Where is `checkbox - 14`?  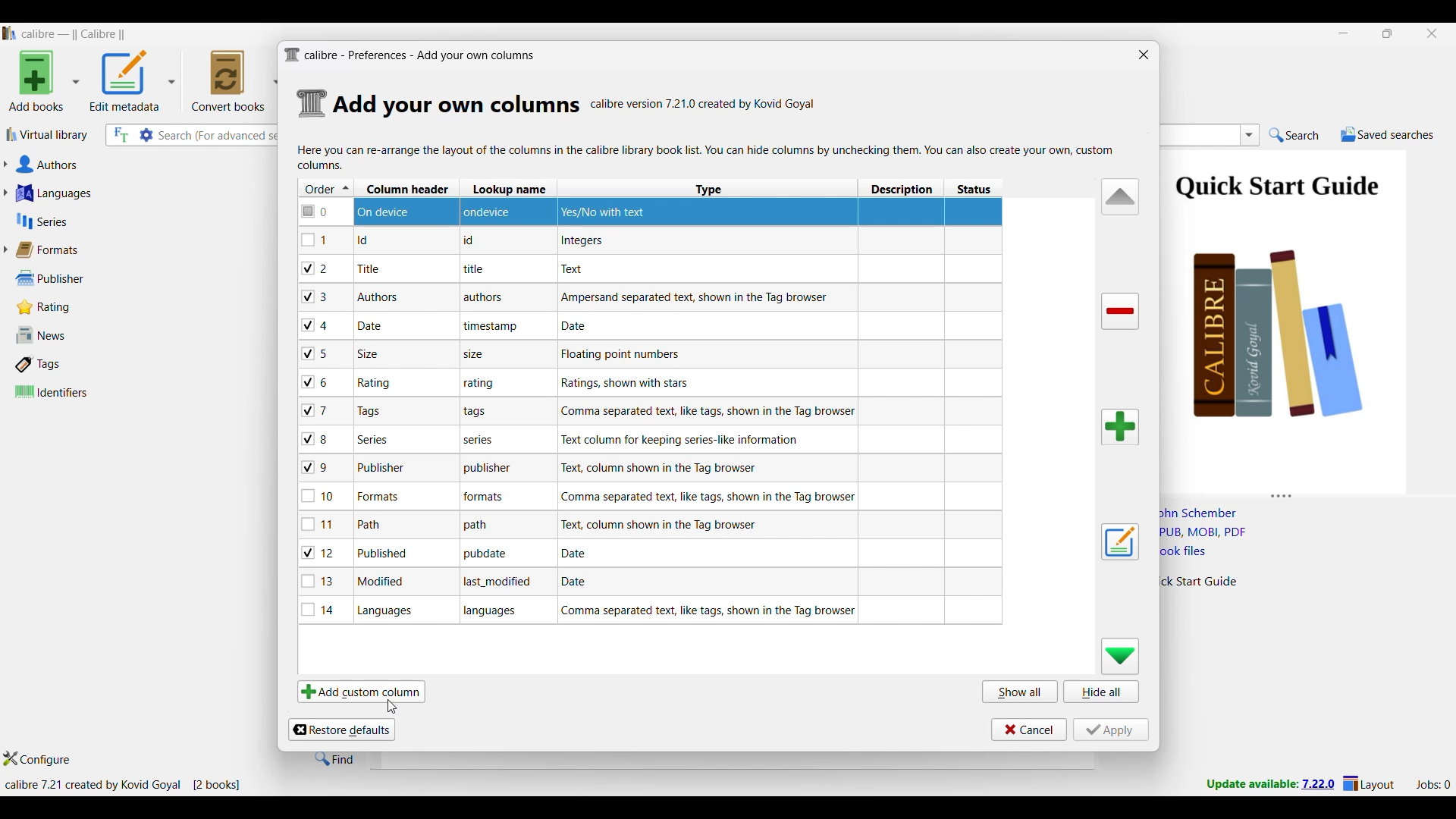
checkbox - 14 is located at coordinates (318, 609).